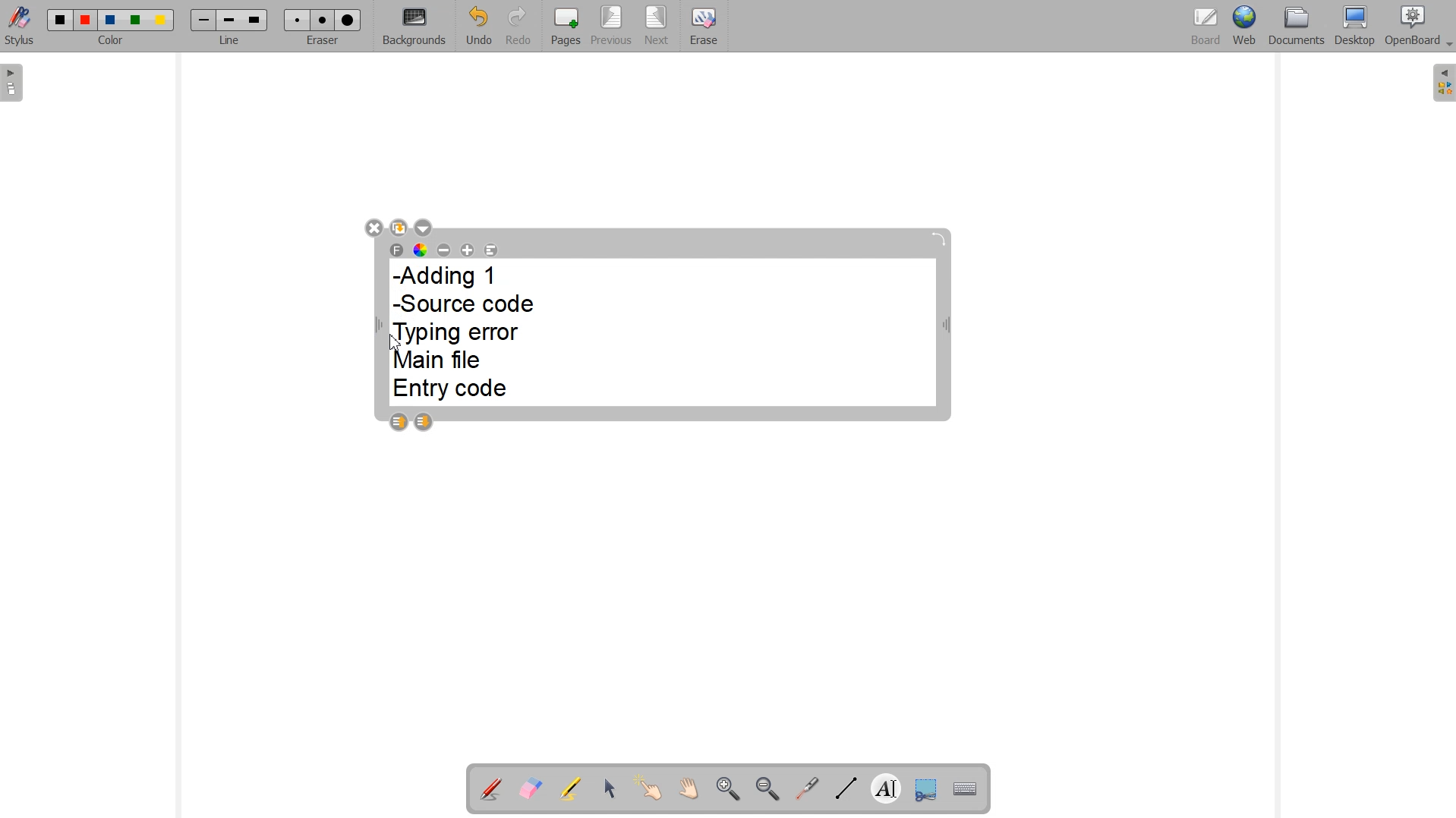 This screenshot has height=818, width=1456. What do you see at coordinates (477, 26) in the screenshot?
I see `Undo` at bounding box center [477, 26].